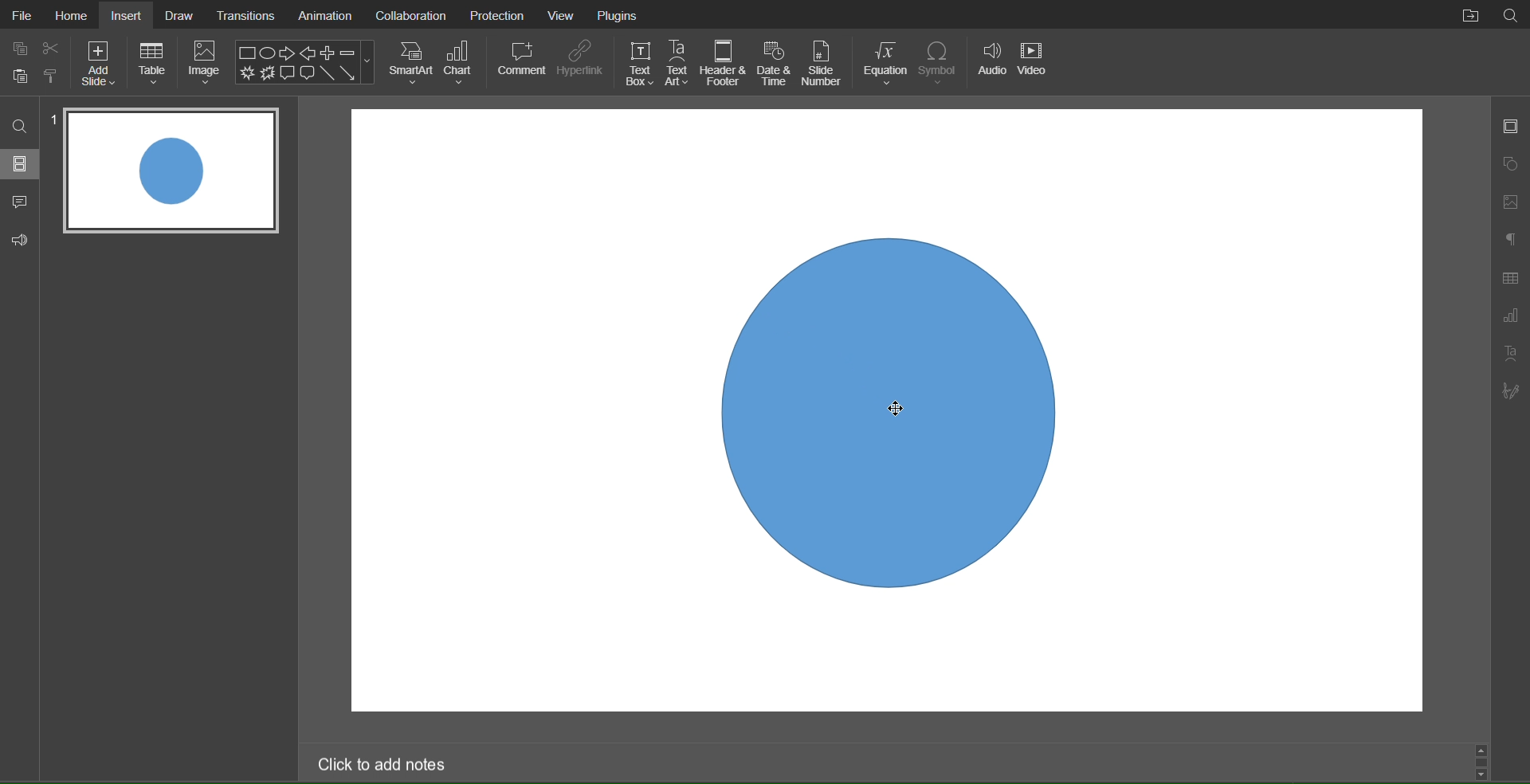 The height and width of the screenshot is (784, 1530). I want to click on Search, so click(1512, 16).